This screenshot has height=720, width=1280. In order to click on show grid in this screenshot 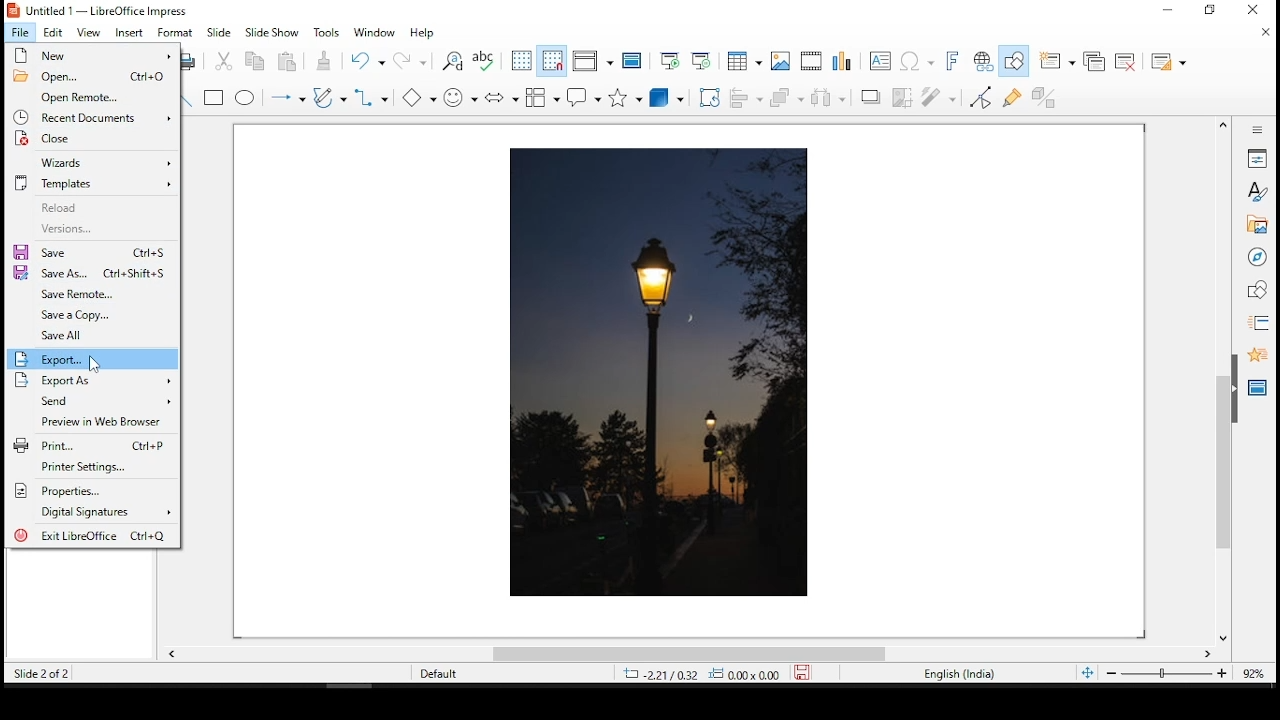, I will do `click(520, 60)`.